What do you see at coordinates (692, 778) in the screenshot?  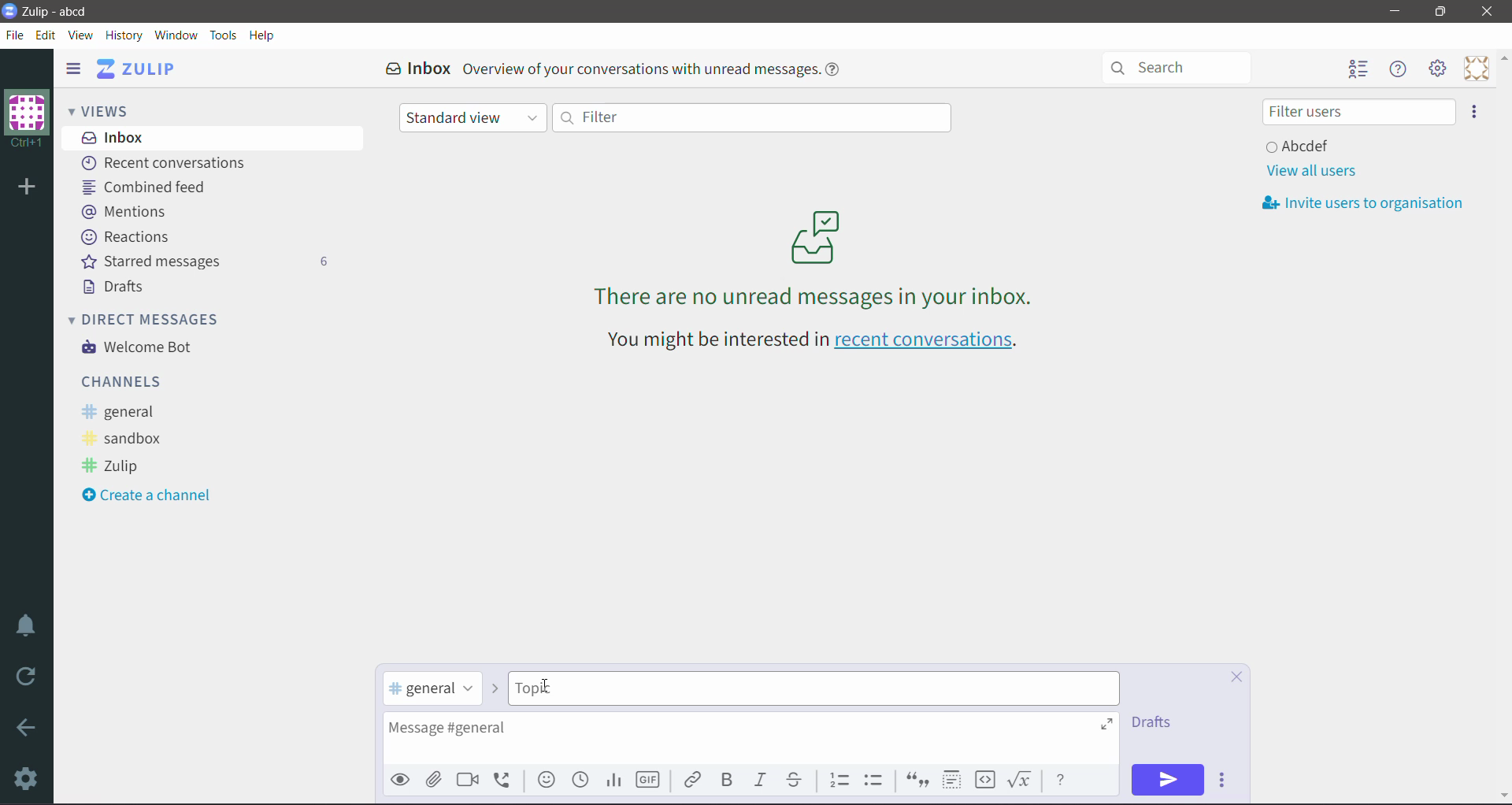 I see `Link` at bounding box center [692, 778].